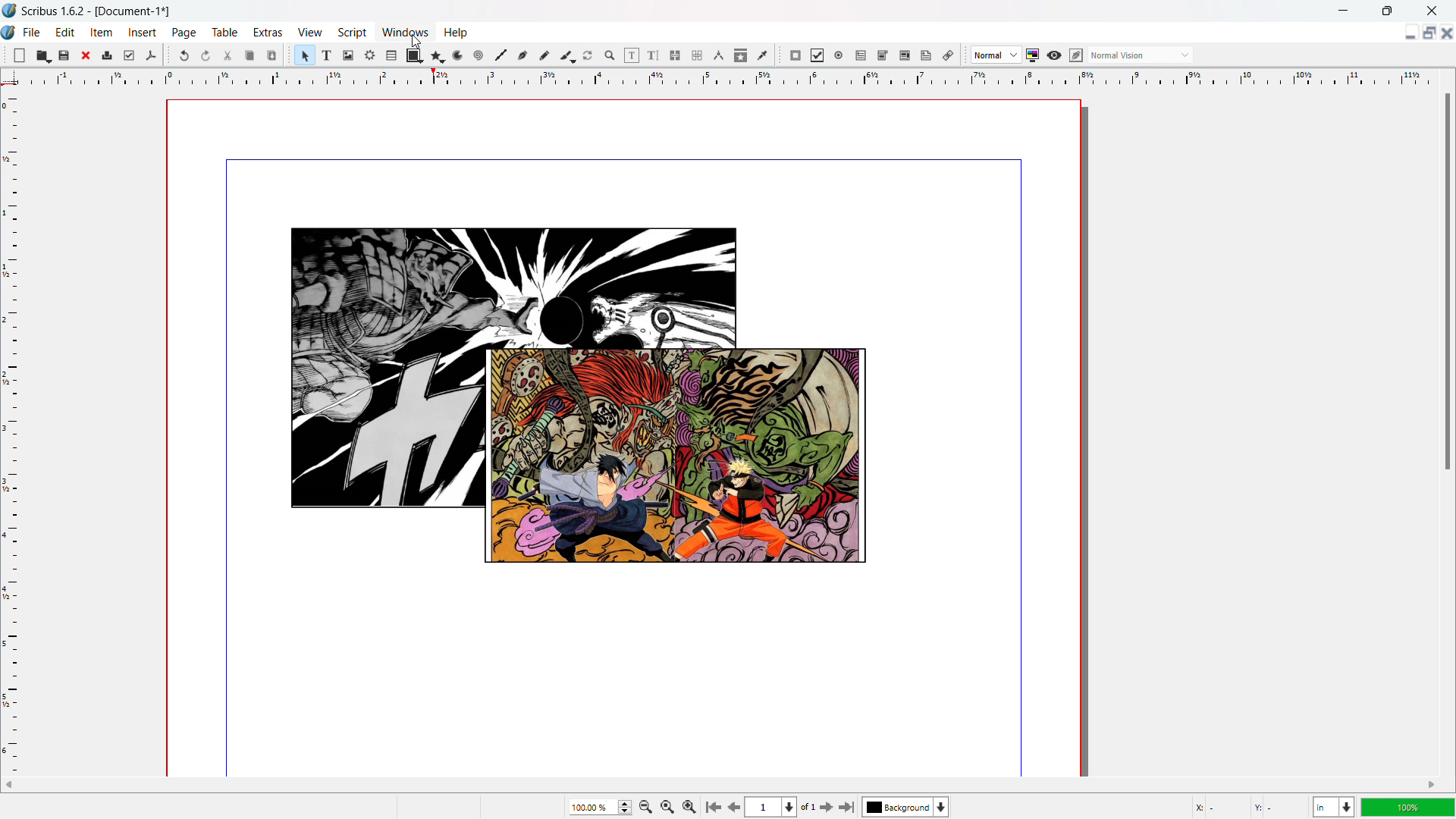 The height and width of the screenshot is (819, 1456). What do you see at coordinates (184, 55) in the screenshot?
I see `undo` at bounding box center [184, 55].